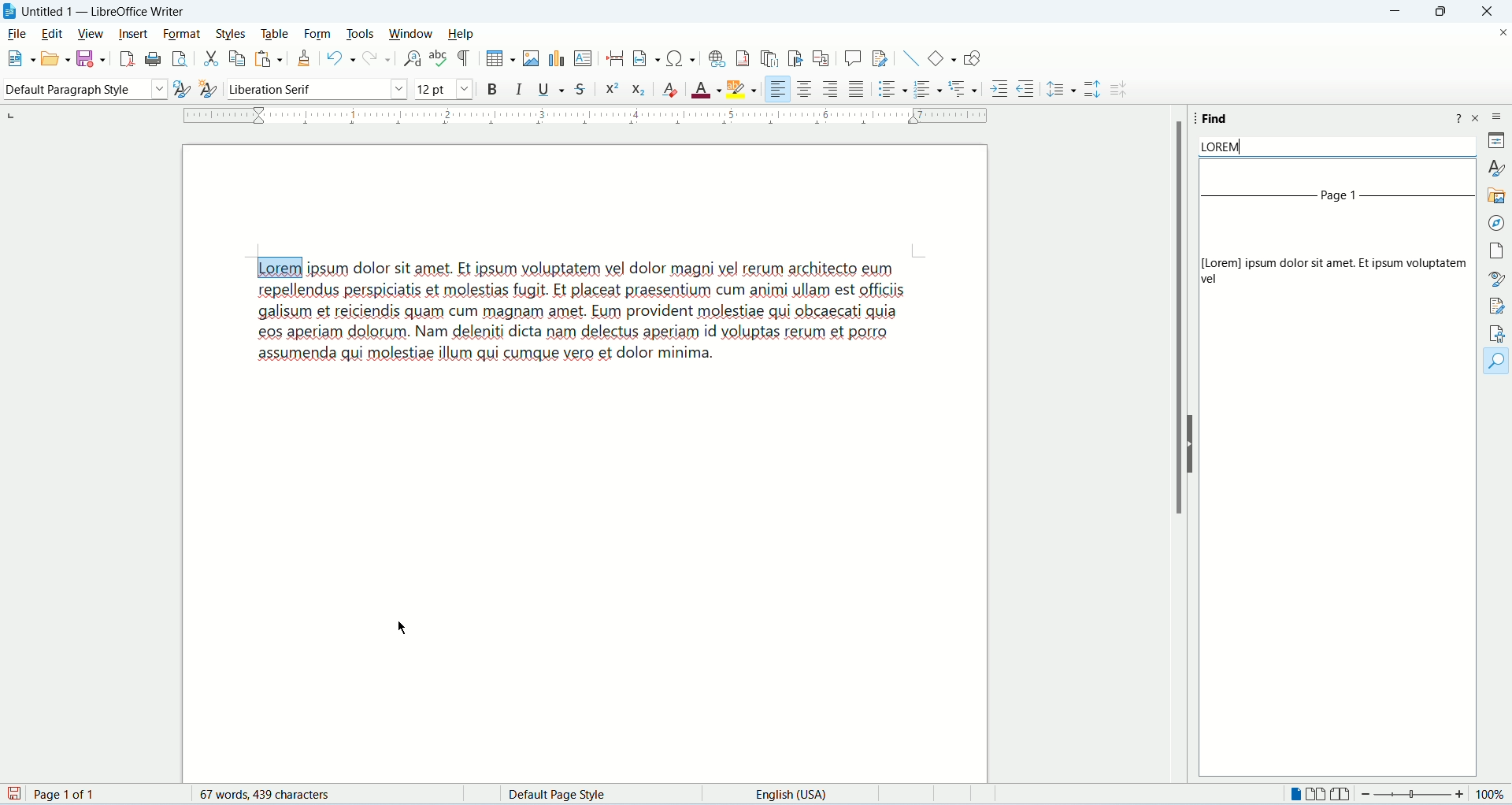 The height and width of the screenshot is (805, 1512). What do you see at coordinates (410, 59) in the screenshot?
I see `find and replace` at bounding box center [410, 59].